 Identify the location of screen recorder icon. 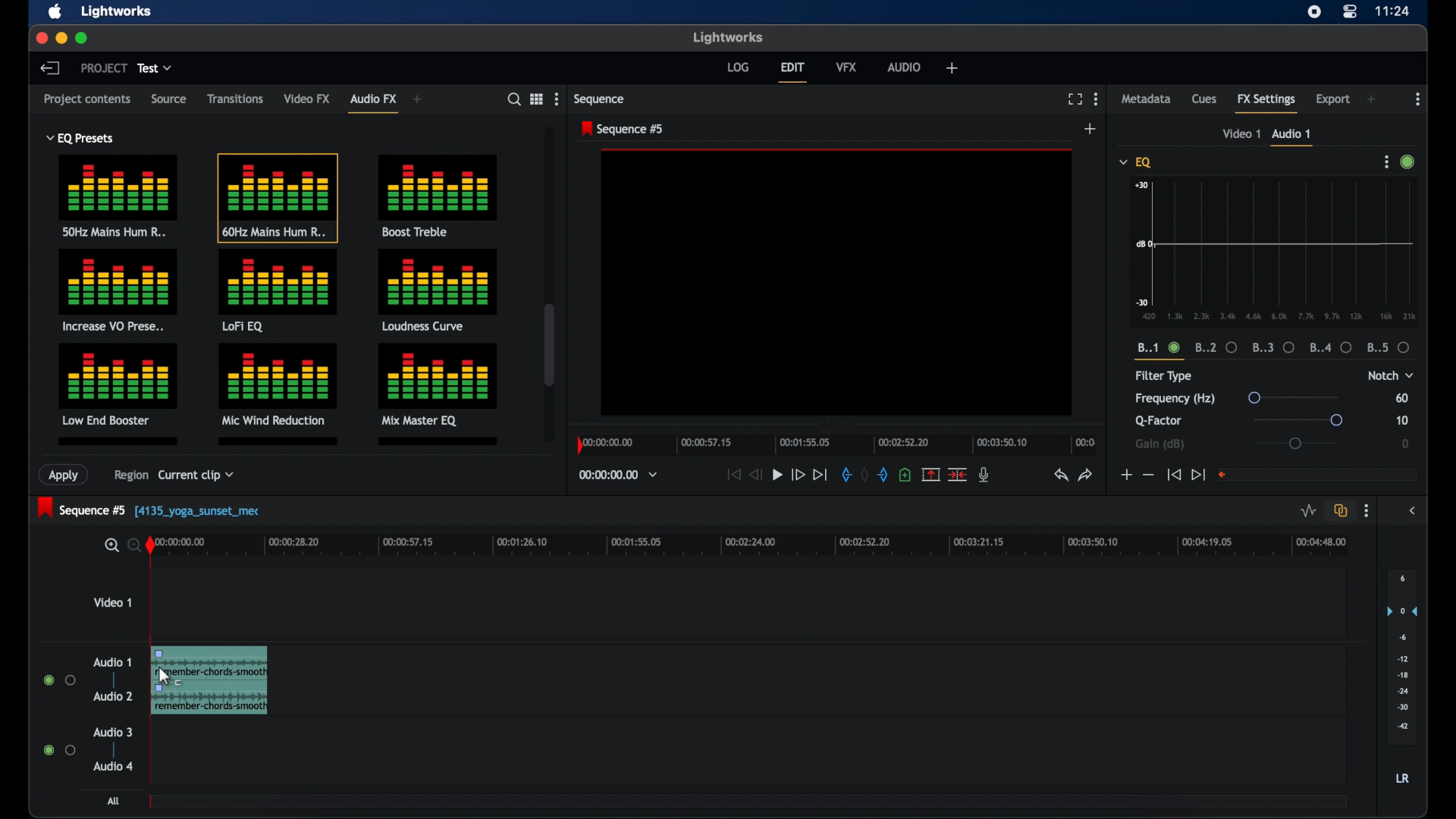
(1314, 12).